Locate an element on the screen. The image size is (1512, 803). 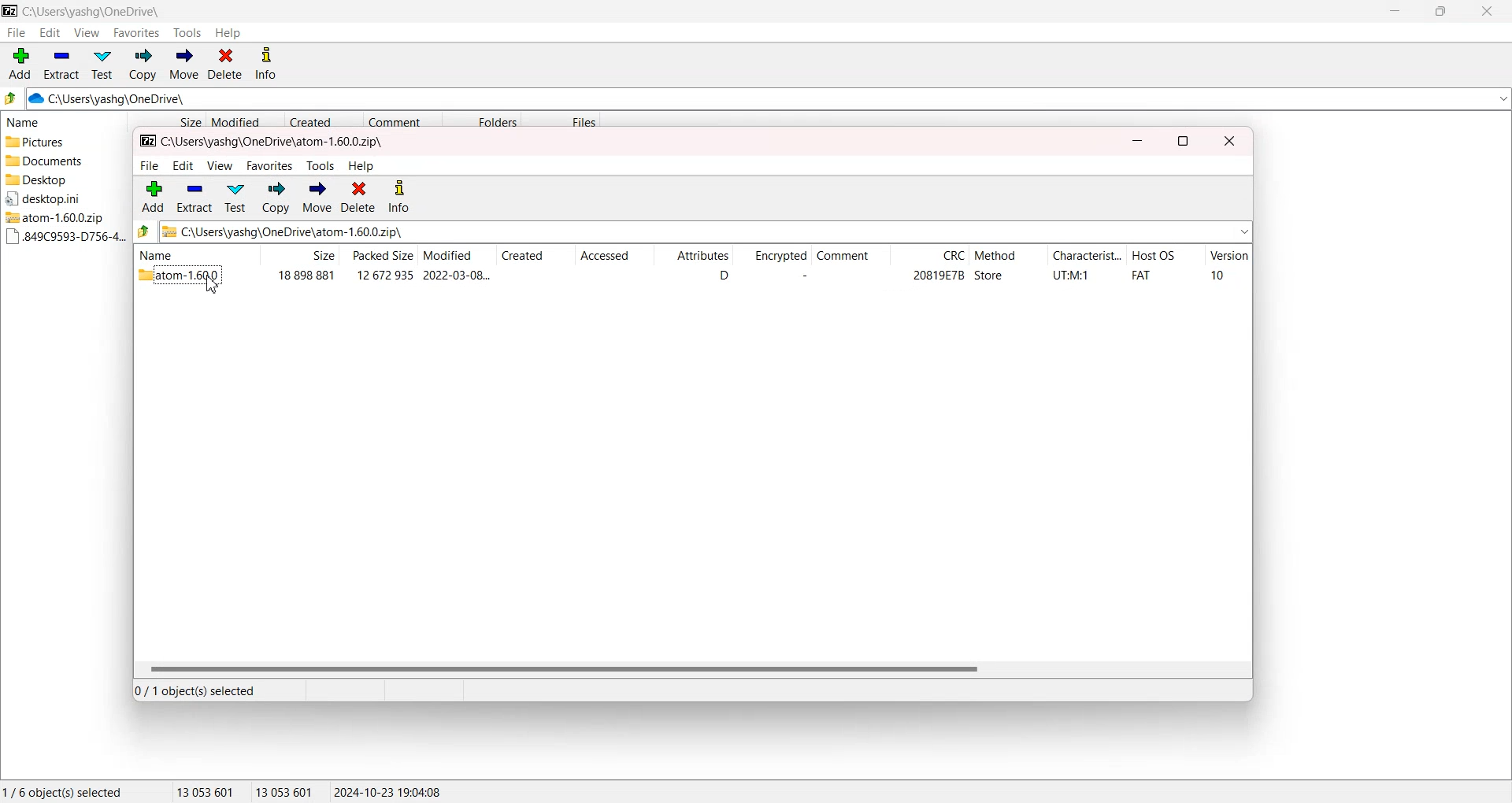
Accessed is located at coordinates (613, 257).